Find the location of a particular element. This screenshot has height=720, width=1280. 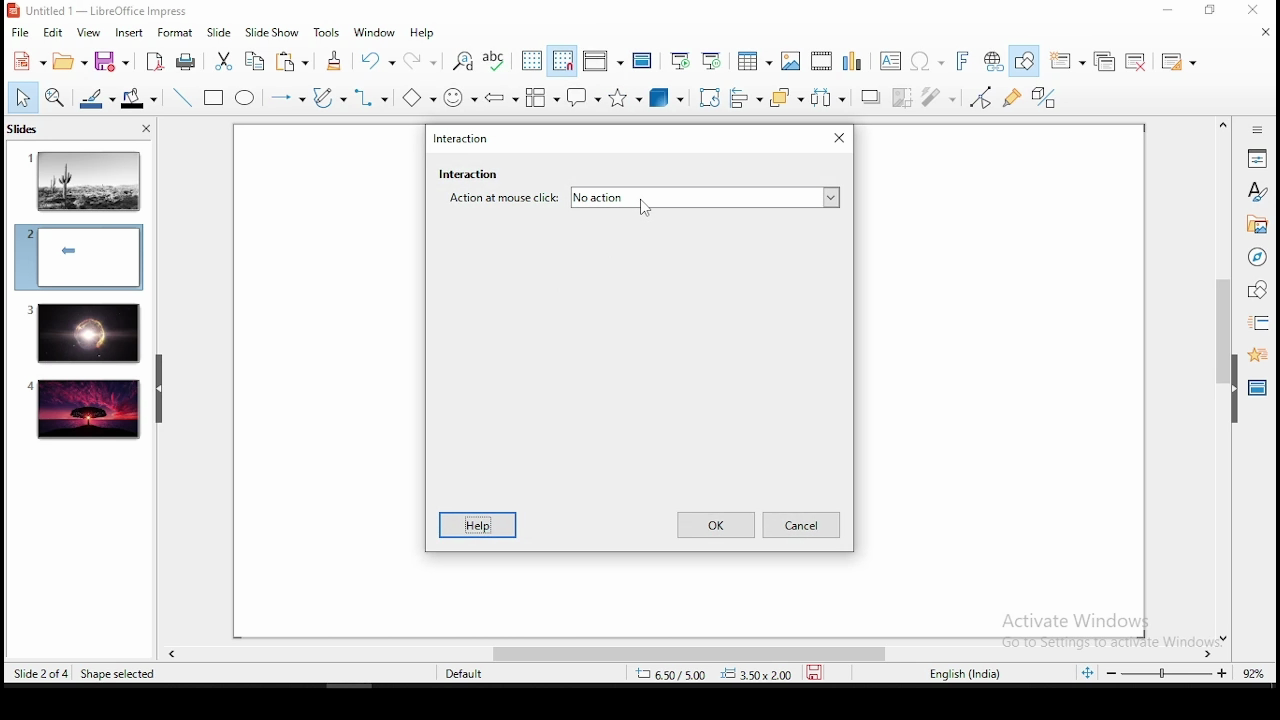

mouse pointer is located at coordinates (644, 210).